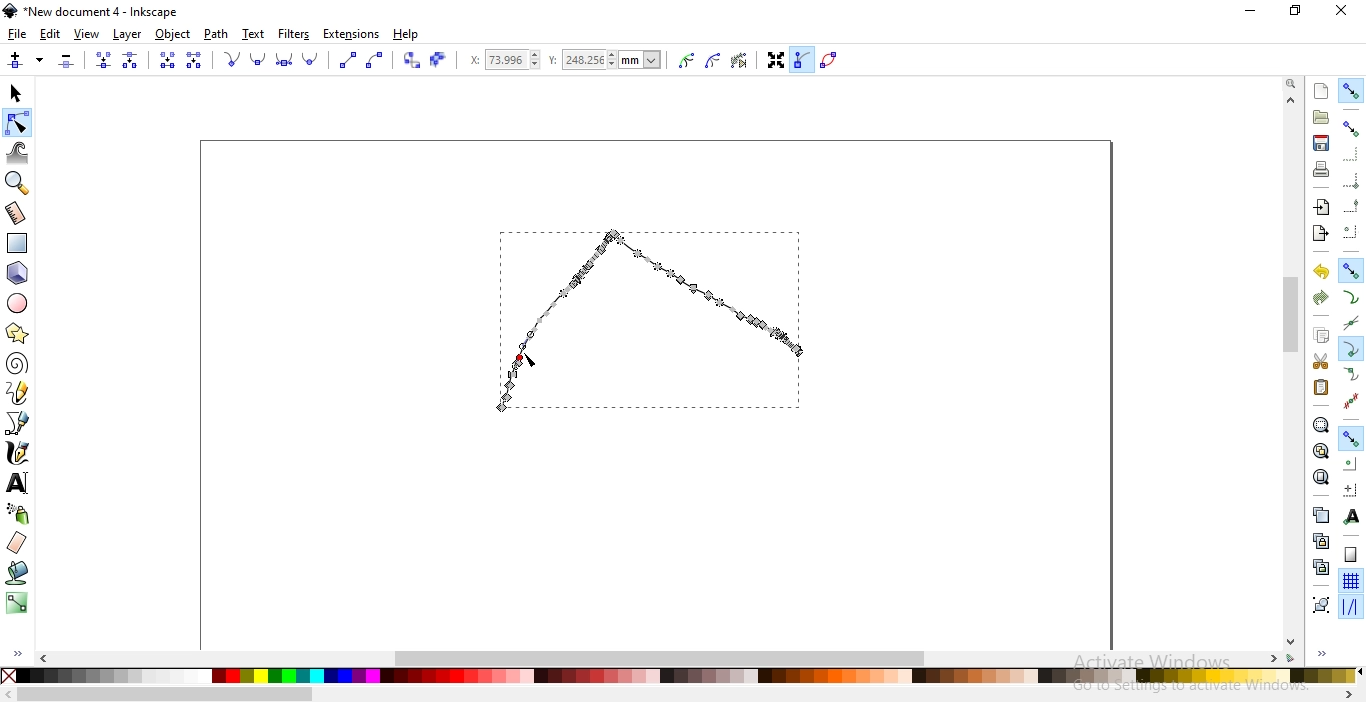 The height and width of the screenshot is (702, 1366). Describe the element at coordinates (1348, 322) in the screenshot. I see `snap to path intersections` at that location.